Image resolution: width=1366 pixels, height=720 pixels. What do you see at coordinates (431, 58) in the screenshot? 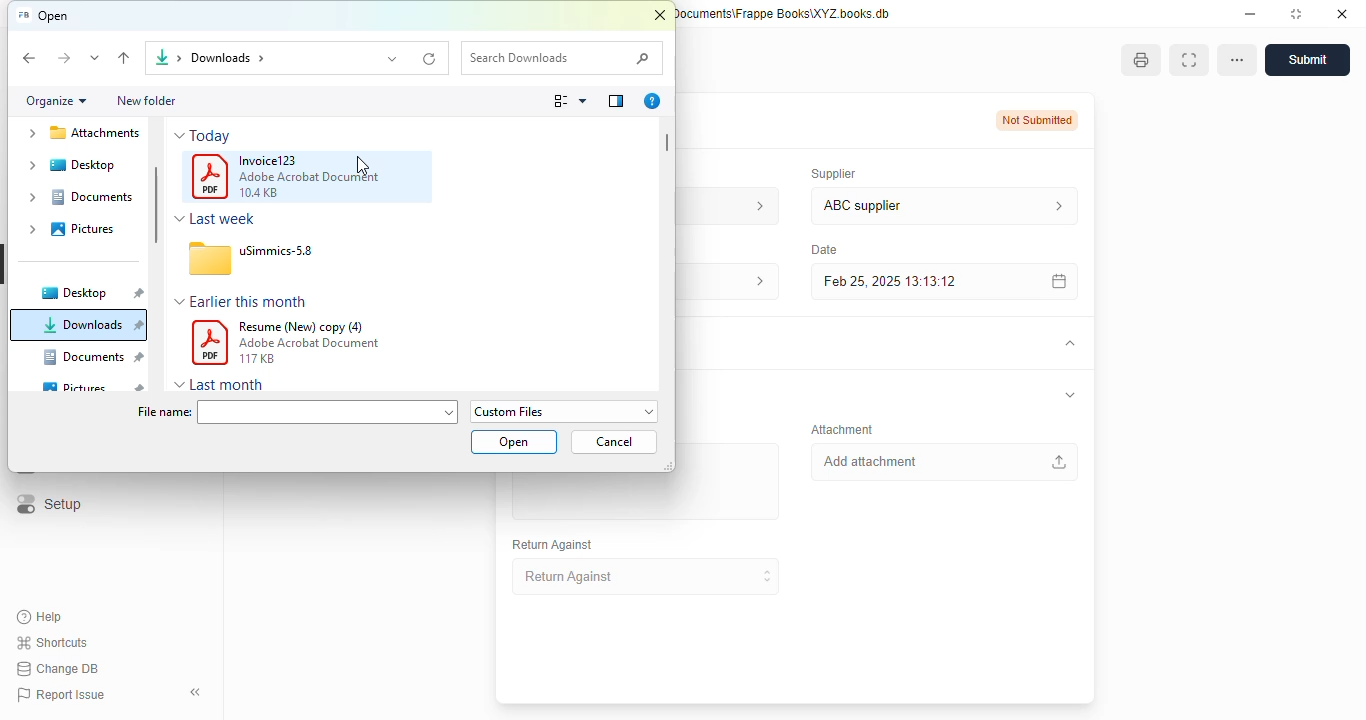
I see `refresh "program files"` at bounding box center [431, 58].